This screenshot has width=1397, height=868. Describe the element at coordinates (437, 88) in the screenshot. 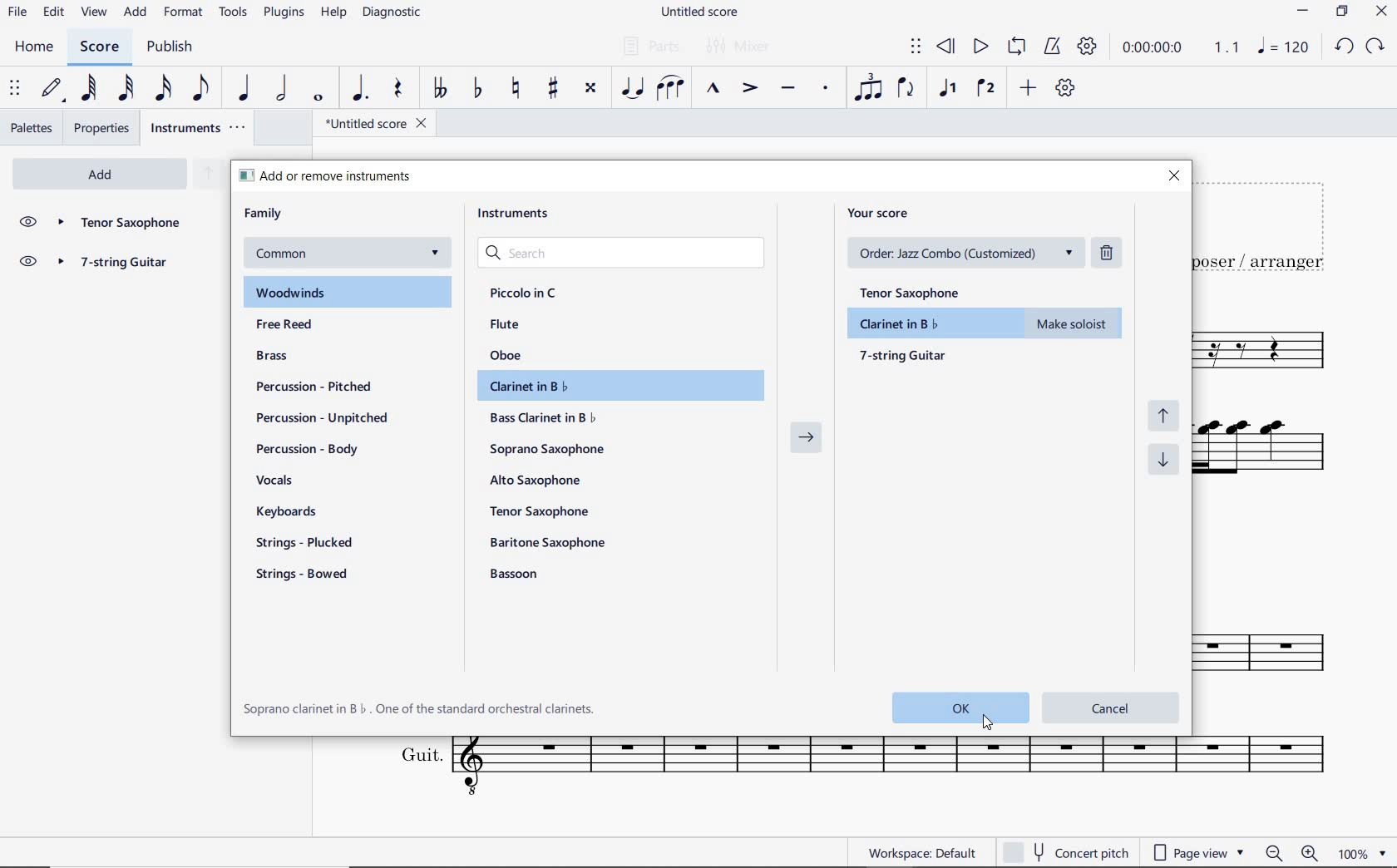

I see `TOGGLE-DOUBLE FLAT` at that location.